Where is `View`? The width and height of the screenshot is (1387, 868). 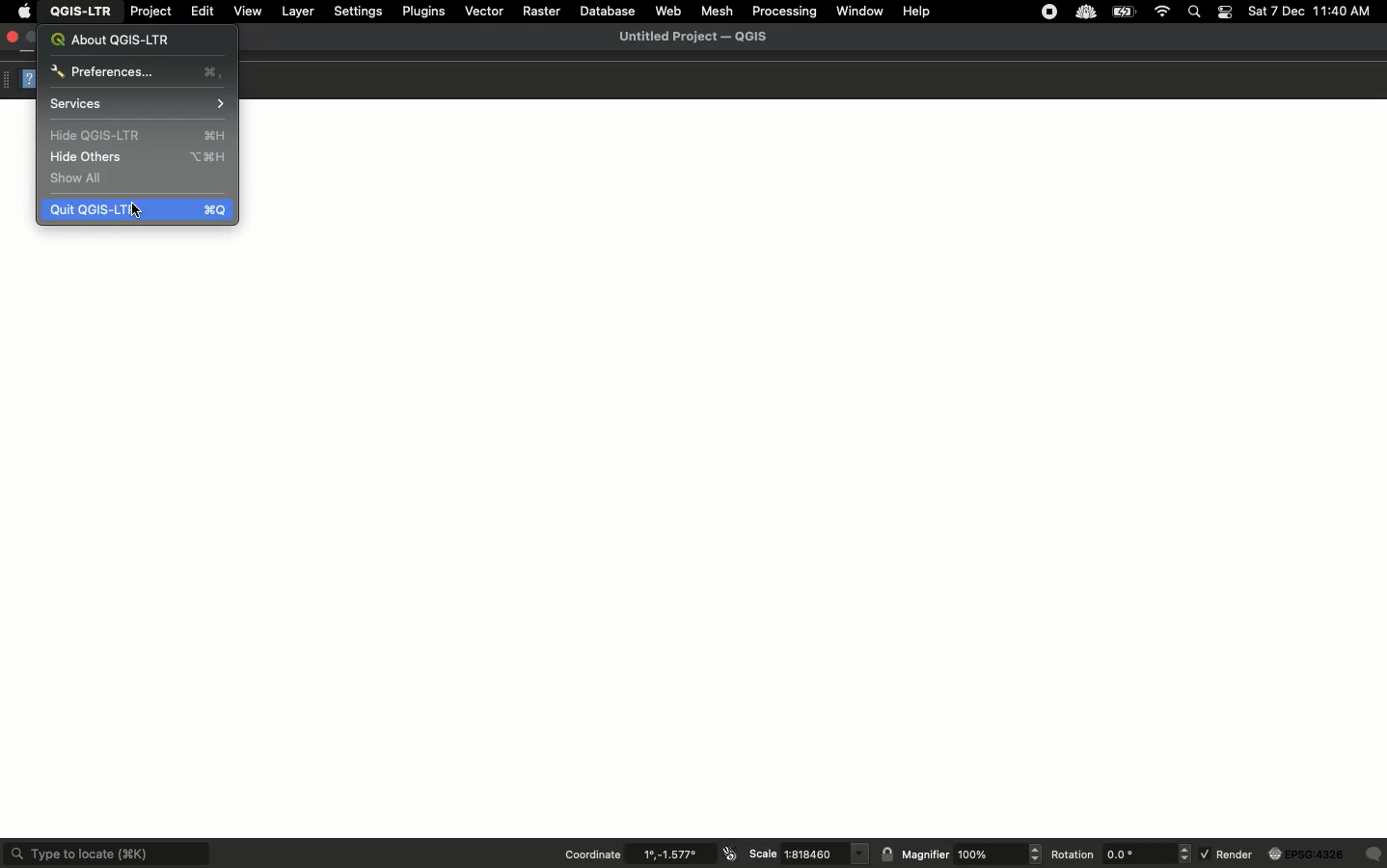 View is located at coordinates (248, 10).